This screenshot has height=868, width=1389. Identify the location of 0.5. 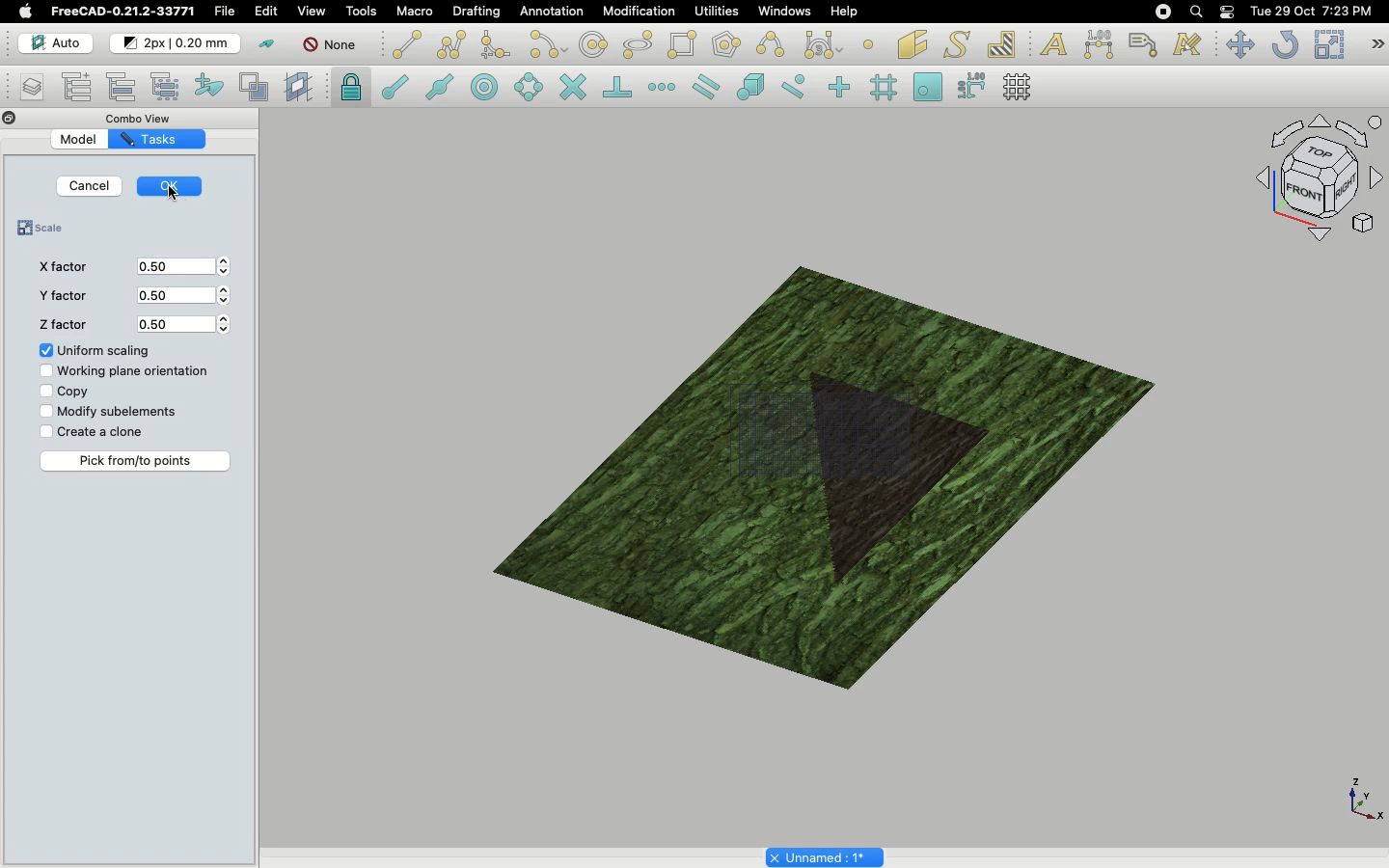
(187, 323).